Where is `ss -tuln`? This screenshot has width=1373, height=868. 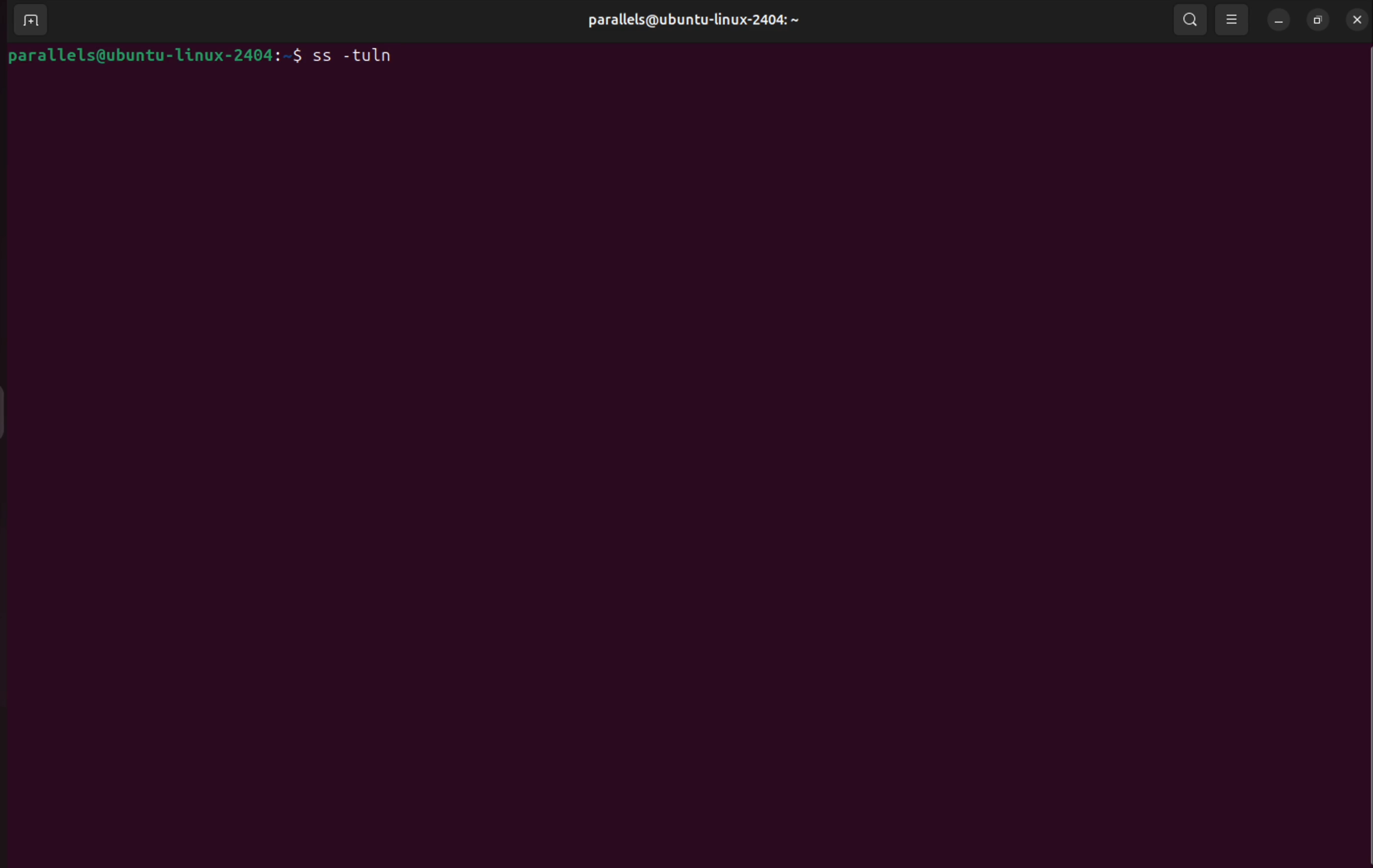 ss -tuln is located at coordinates (344, 56).